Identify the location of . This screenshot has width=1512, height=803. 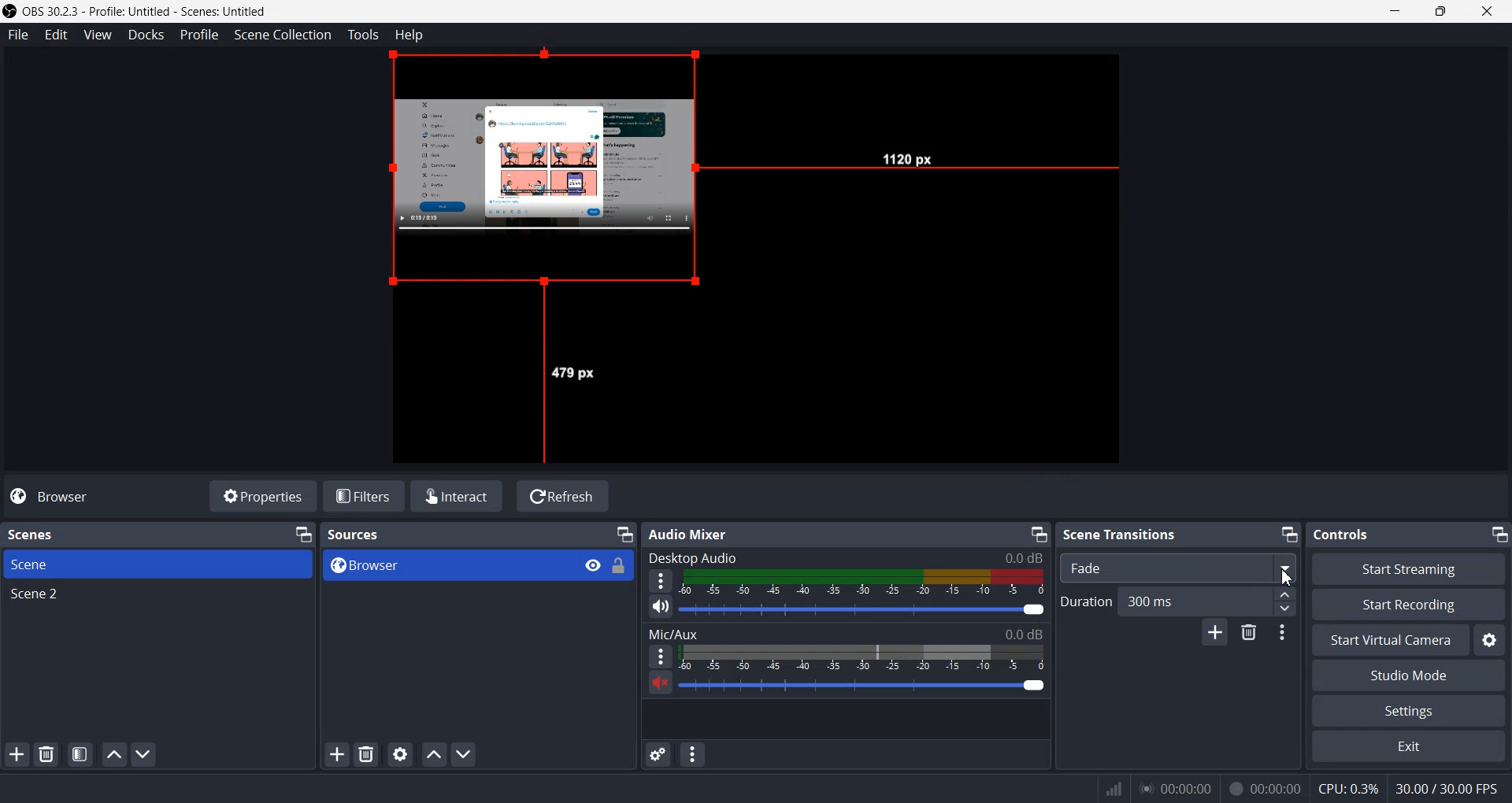
(1114, 788).